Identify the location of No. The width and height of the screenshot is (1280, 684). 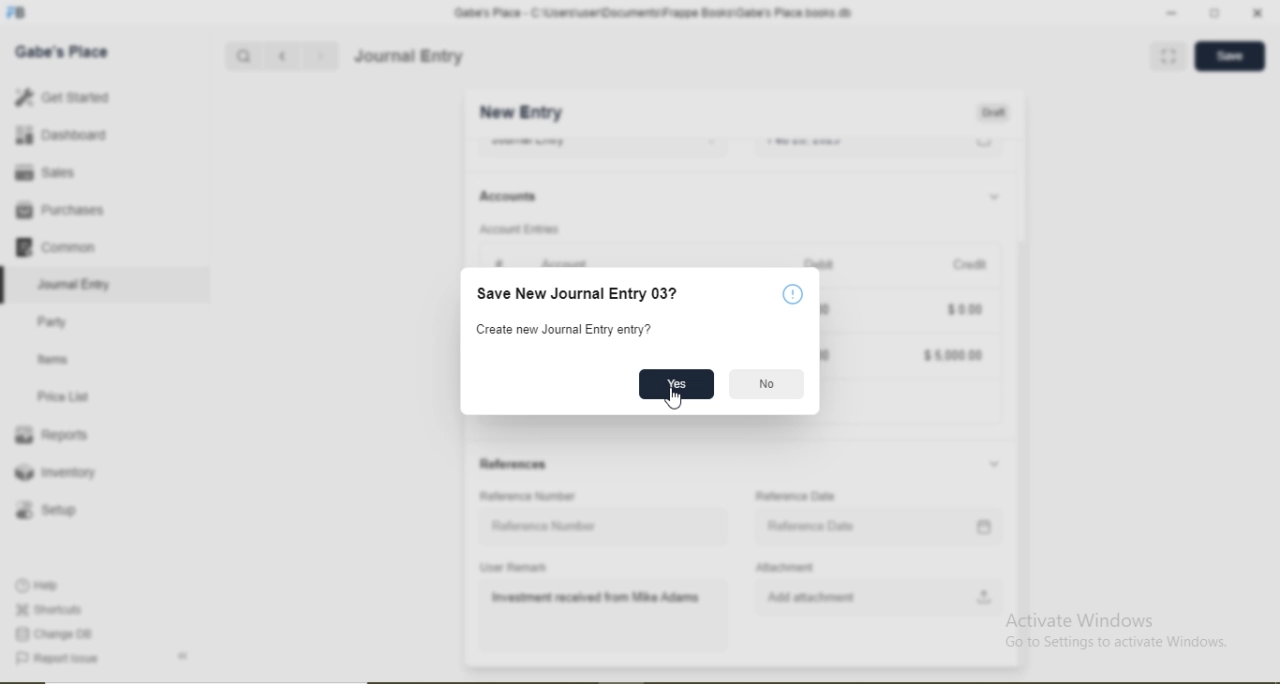
(767, 383).